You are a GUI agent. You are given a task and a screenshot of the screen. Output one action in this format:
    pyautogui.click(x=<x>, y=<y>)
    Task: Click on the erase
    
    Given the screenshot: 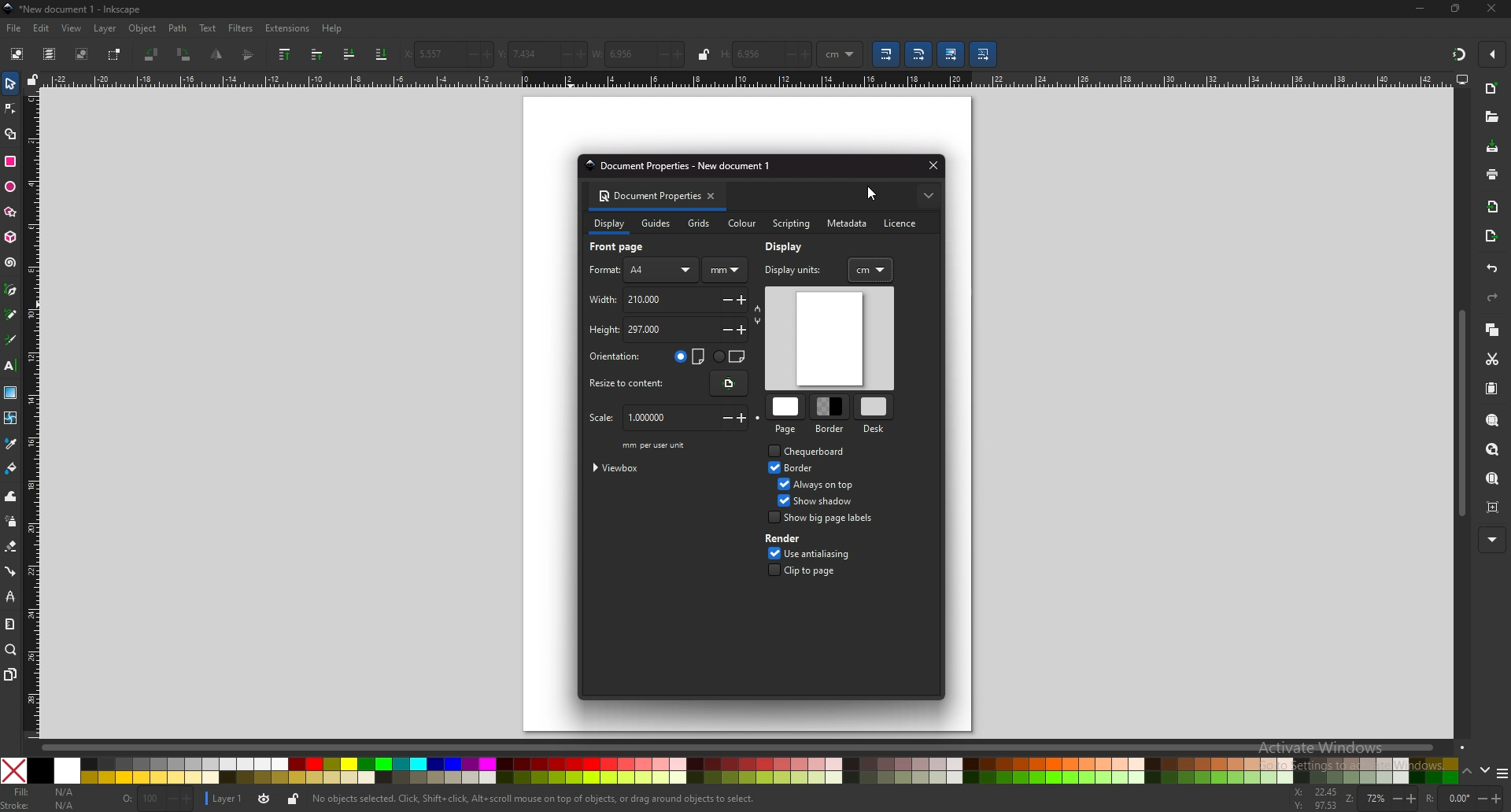 What is the action you would take?
    pyautogui.click(x=11, y=545)
    